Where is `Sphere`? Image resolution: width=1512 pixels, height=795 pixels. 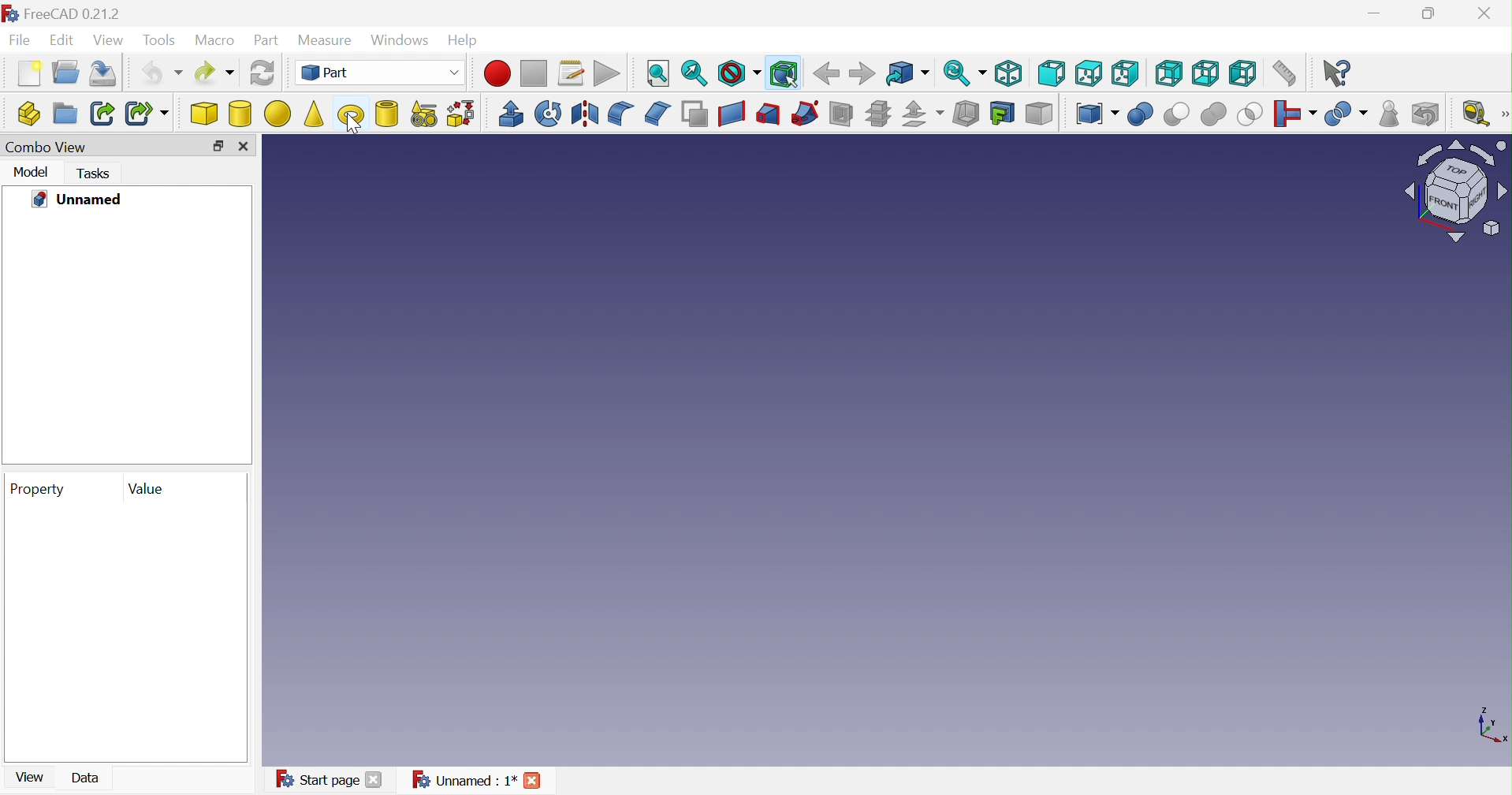 Sphere is located at coordinates (277, 114).